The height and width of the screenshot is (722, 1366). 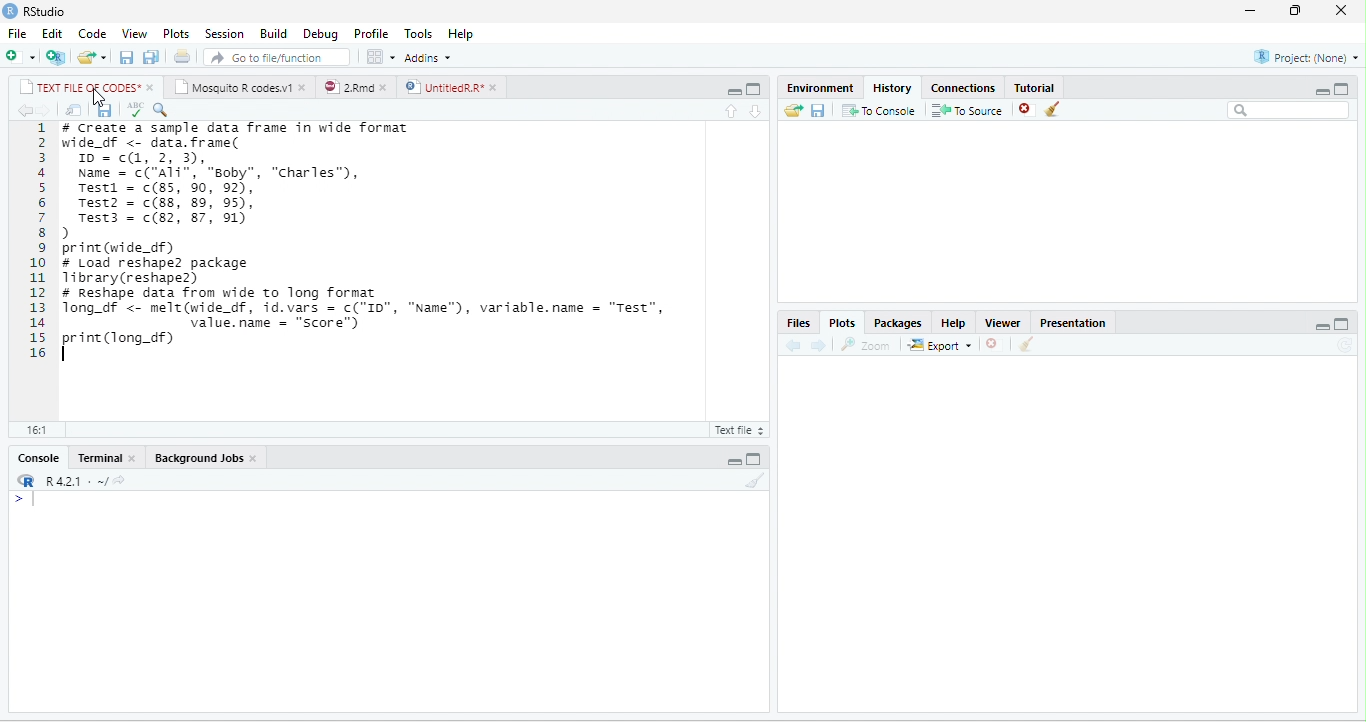 What do you see at coordinates (35, 430) in the screenshot?
I see `1:1` at bounding box center [35, 430].